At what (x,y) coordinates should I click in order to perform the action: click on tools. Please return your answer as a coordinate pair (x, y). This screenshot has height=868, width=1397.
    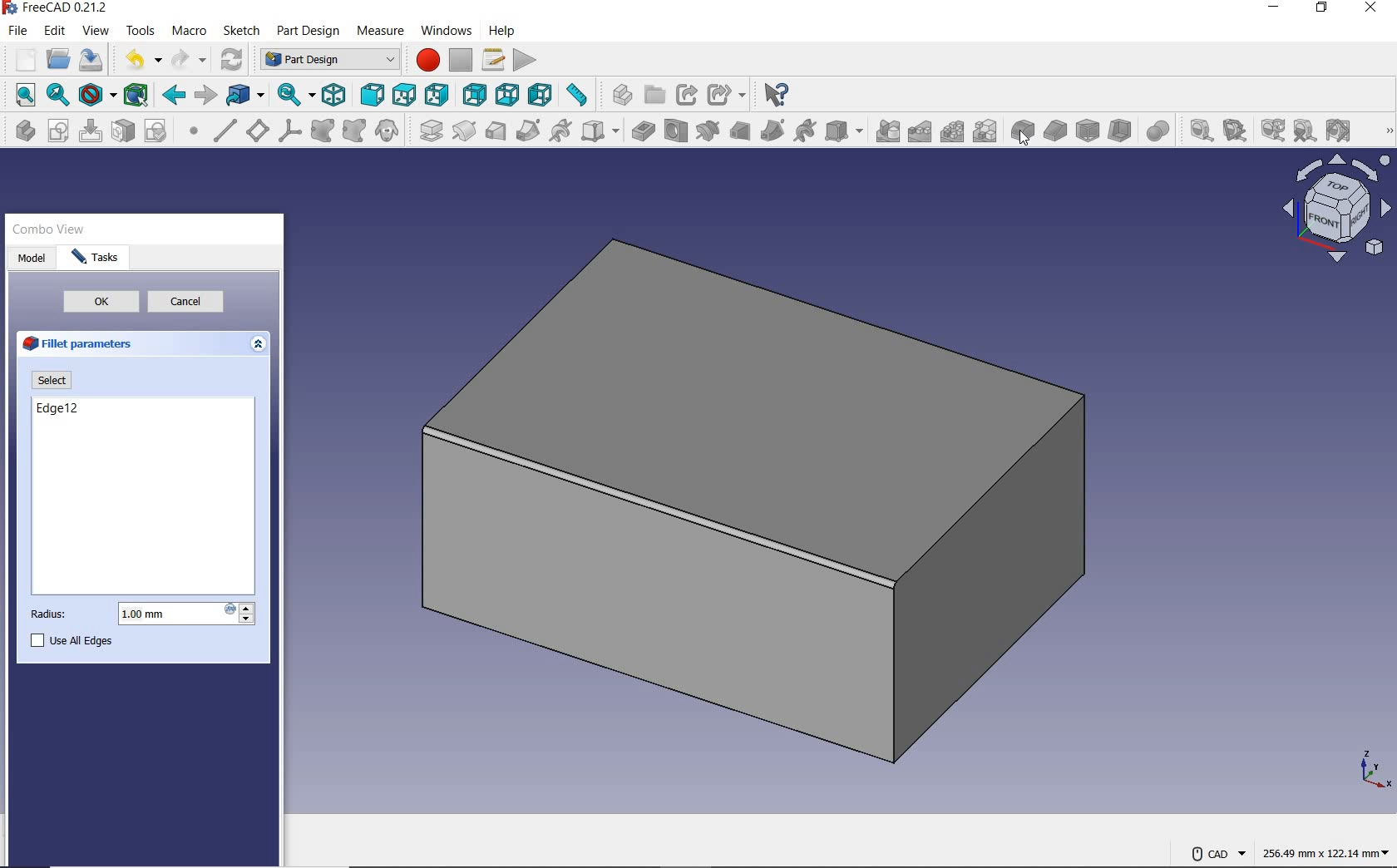
    Looking at the image, I should click on (142, 31).